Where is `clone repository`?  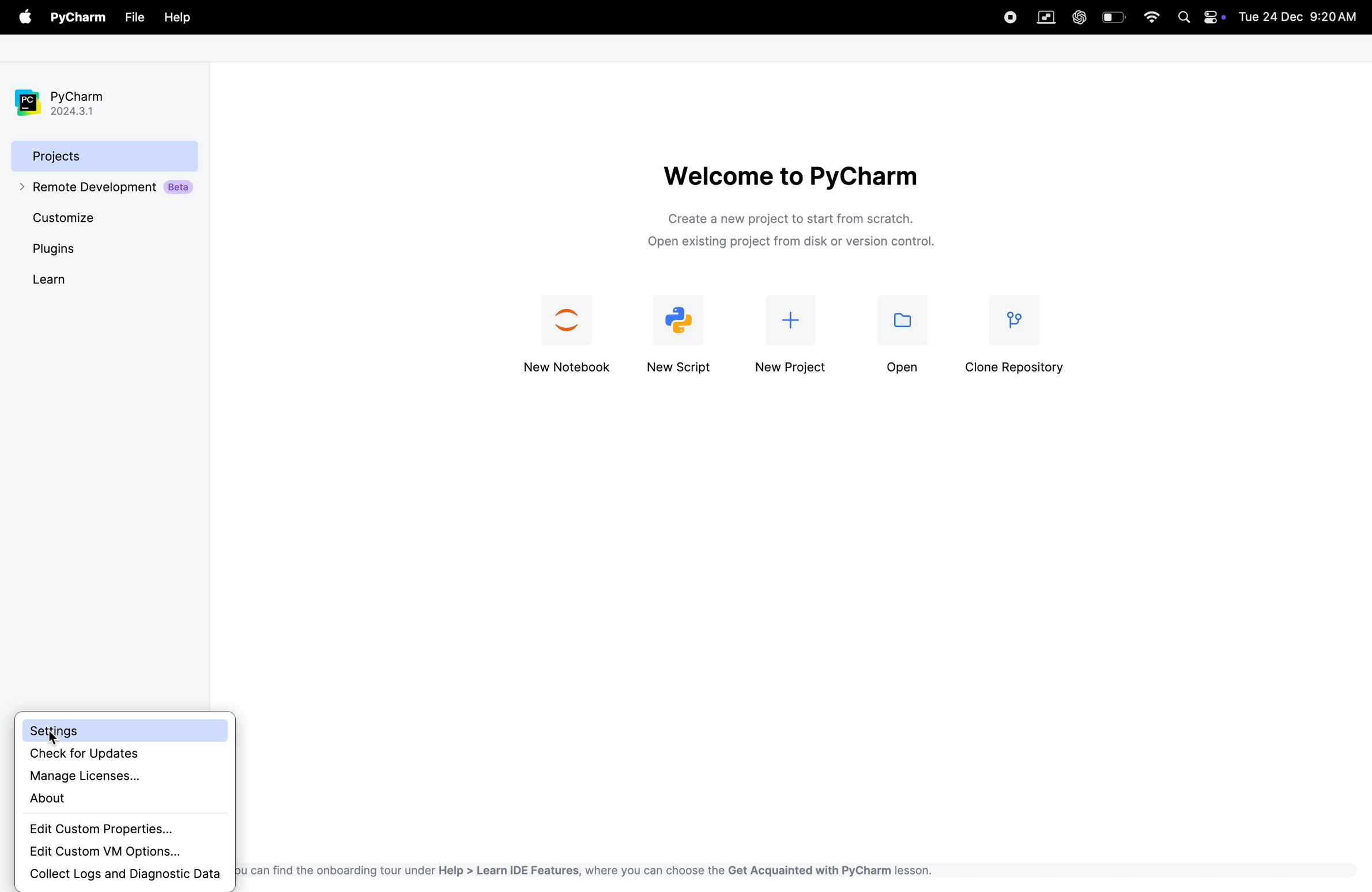
clone repository is located at coordinates (1017, 339).